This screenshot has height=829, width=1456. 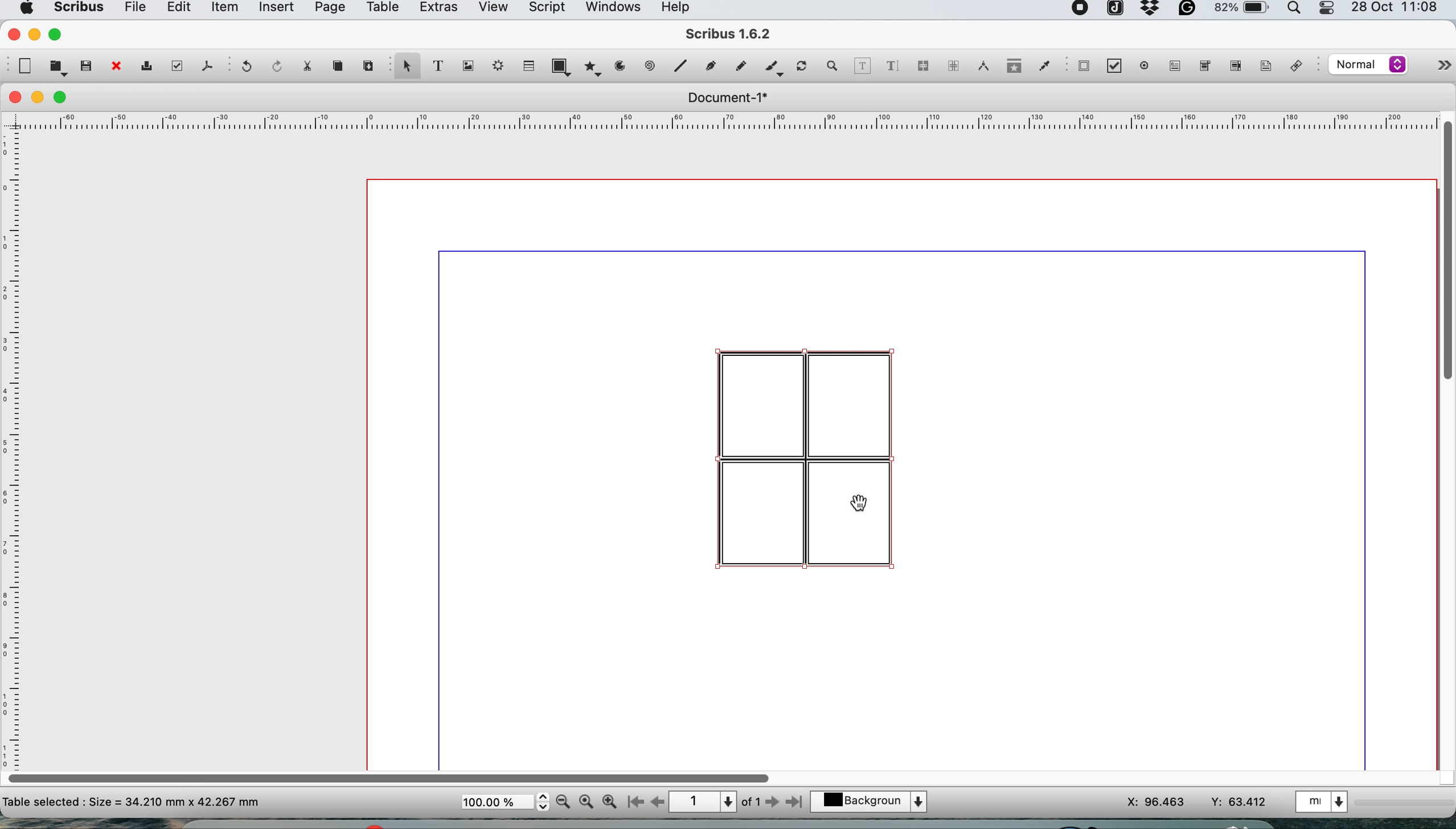 What do you see at coordinates (436, 10) in the screenshot?
I see `extras` at bounding box center [436, 10].